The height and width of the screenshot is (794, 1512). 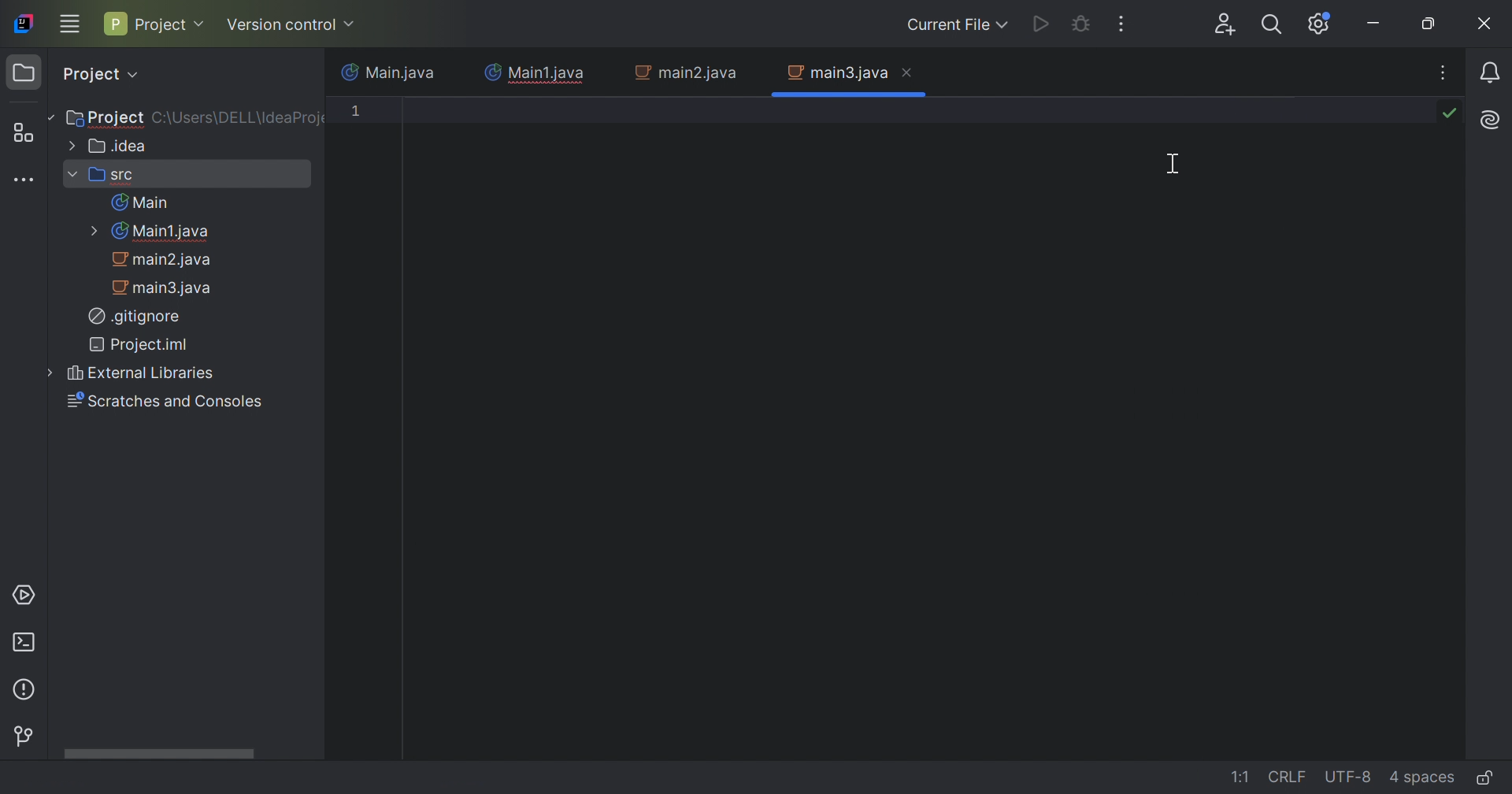 What do you see at coordinates (1488, 781) in the screenshot?
I see `Make file read-only` at bounding box center [1488, 781].